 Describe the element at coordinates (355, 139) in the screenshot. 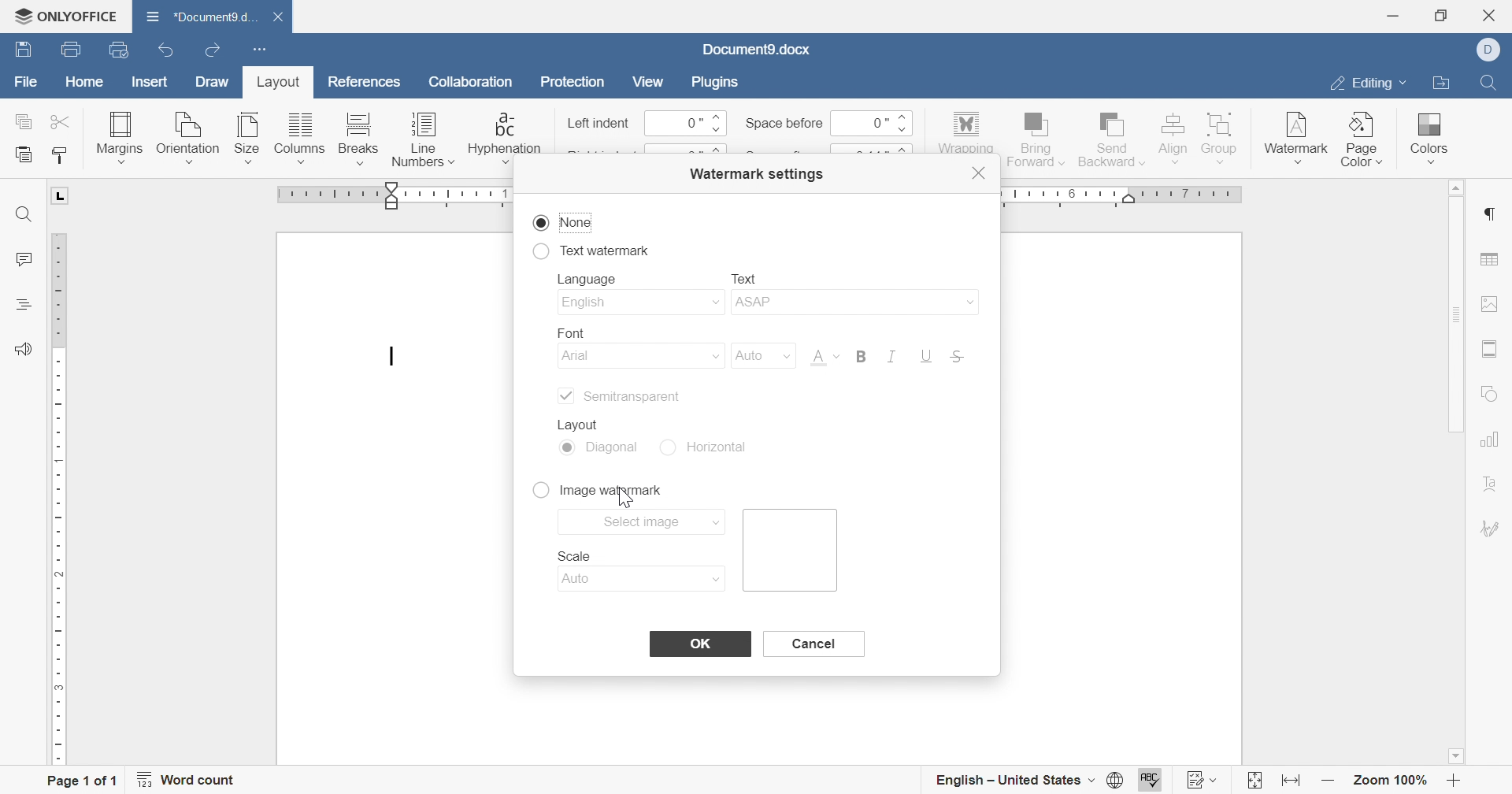

I see `breaks` at that location.